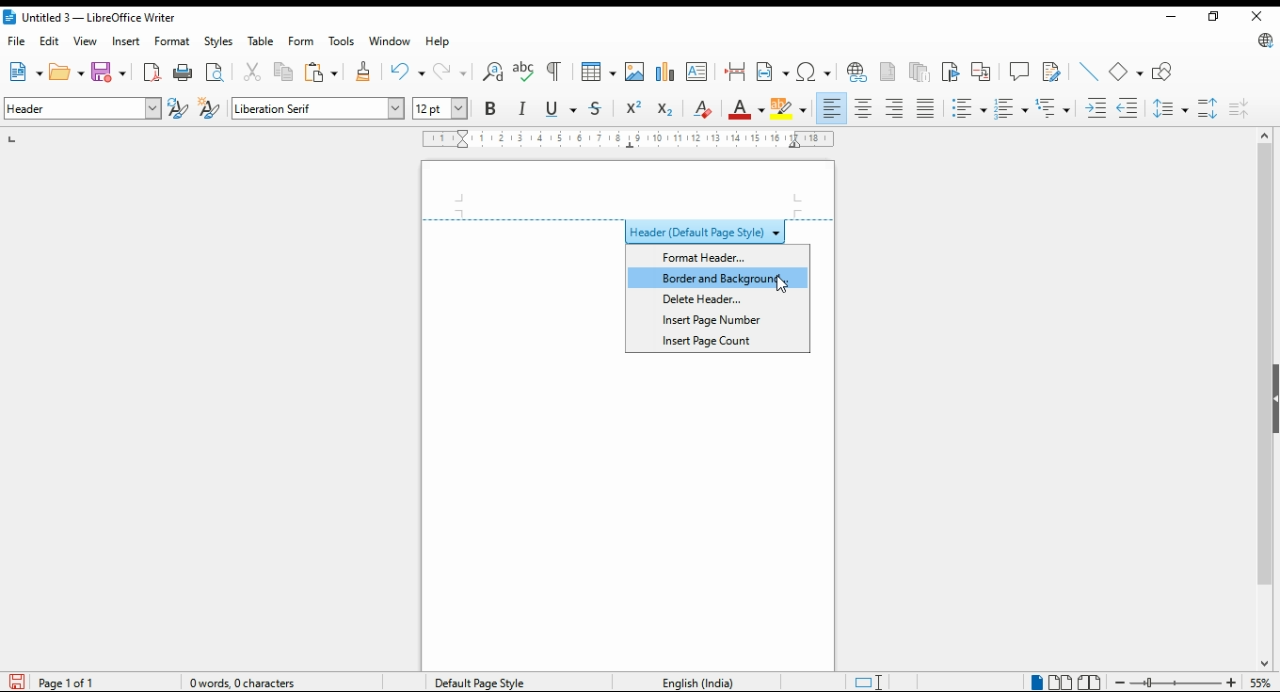 The width and height of the screenshot is (1280, 692). I want to click on bold, so click(490, 107).